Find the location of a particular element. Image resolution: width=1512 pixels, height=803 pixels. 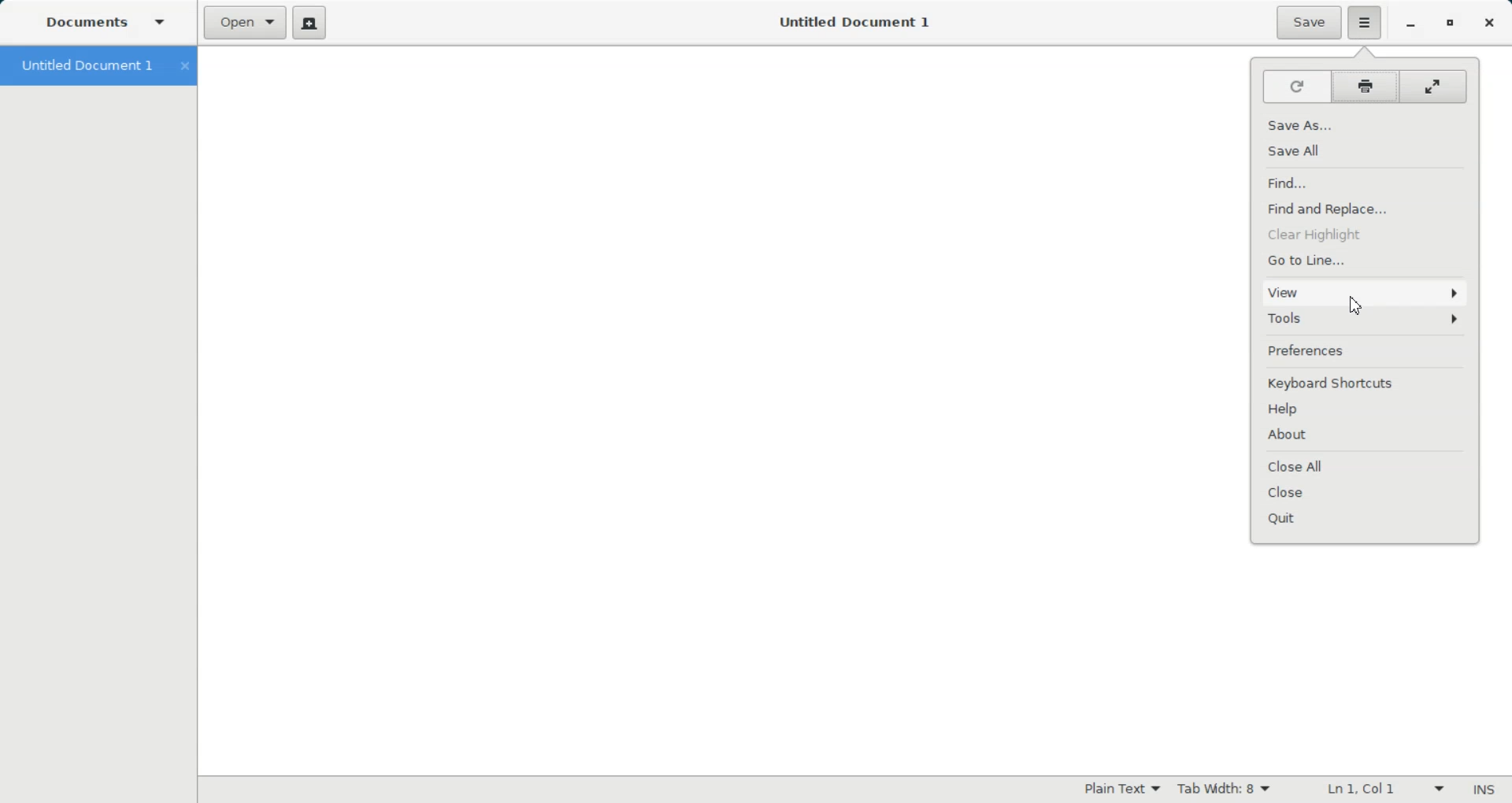

Refresh is located at coordinates (1293, 86).